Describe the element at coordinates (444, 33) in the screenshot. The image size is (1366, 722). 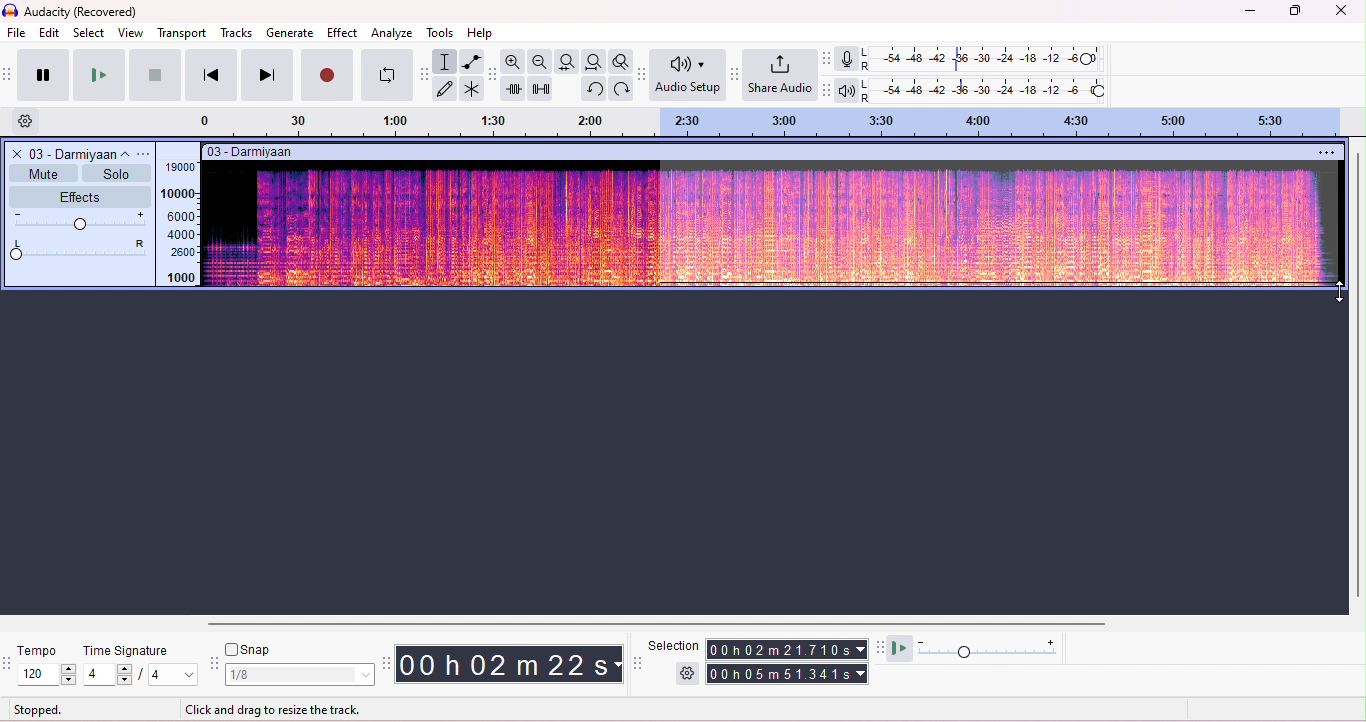
I see `tools` at that location.